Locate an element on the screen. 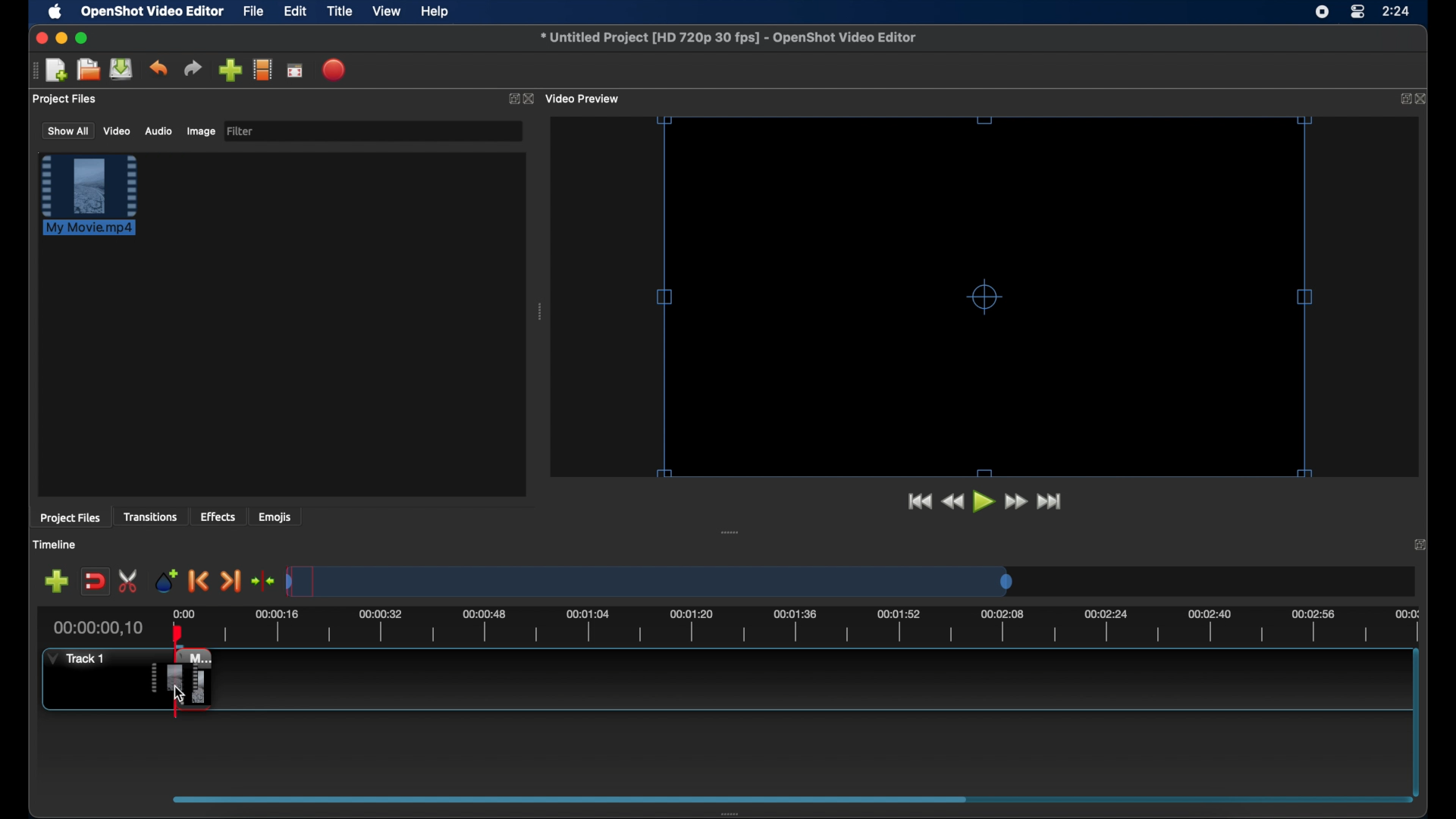 The height and width of the screenshot is (819, 1456). export video is located at coordinates (334, 69).